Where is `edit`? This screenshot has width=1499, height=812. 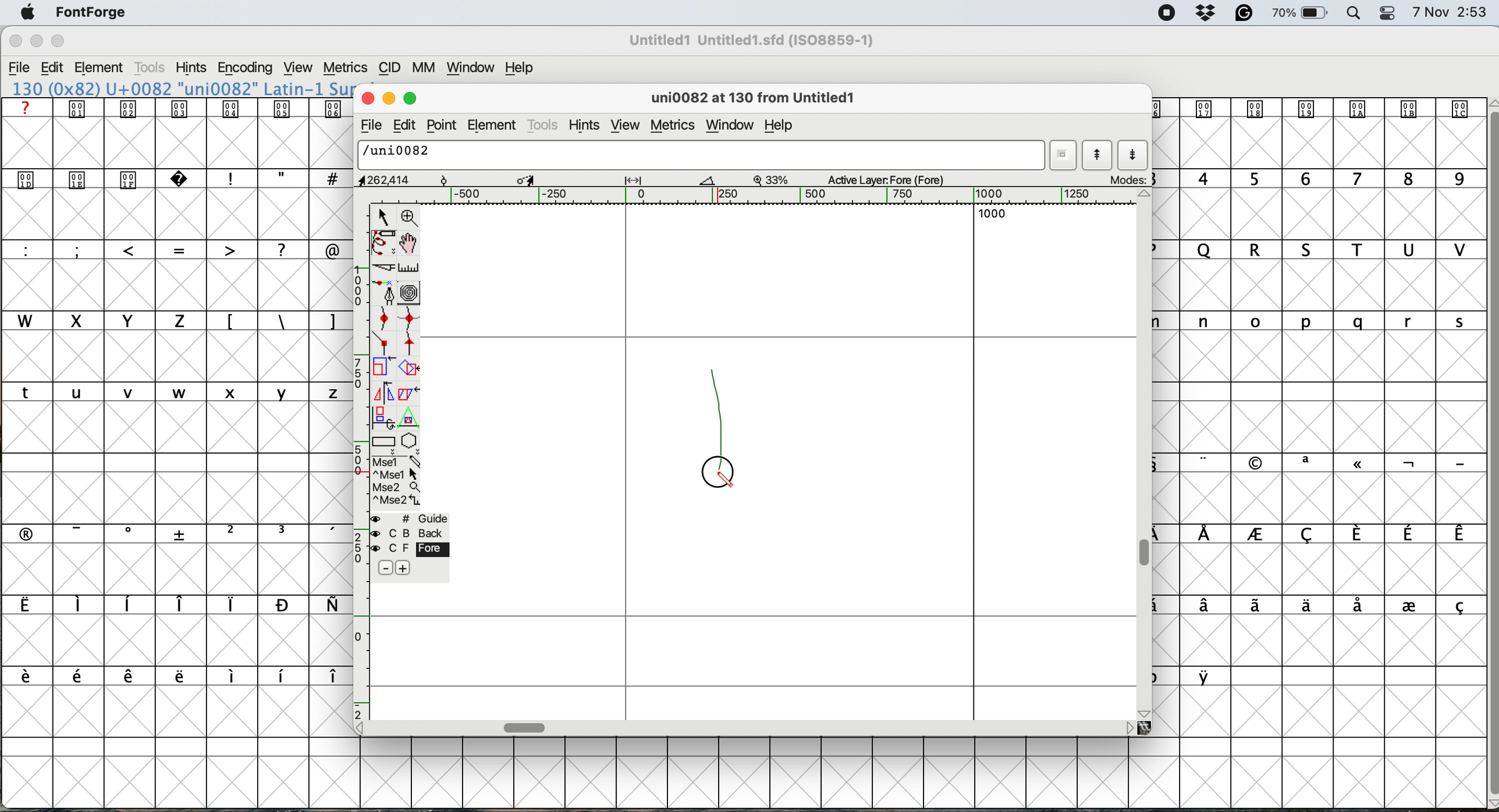 edit is located at coordinates (407, 125).